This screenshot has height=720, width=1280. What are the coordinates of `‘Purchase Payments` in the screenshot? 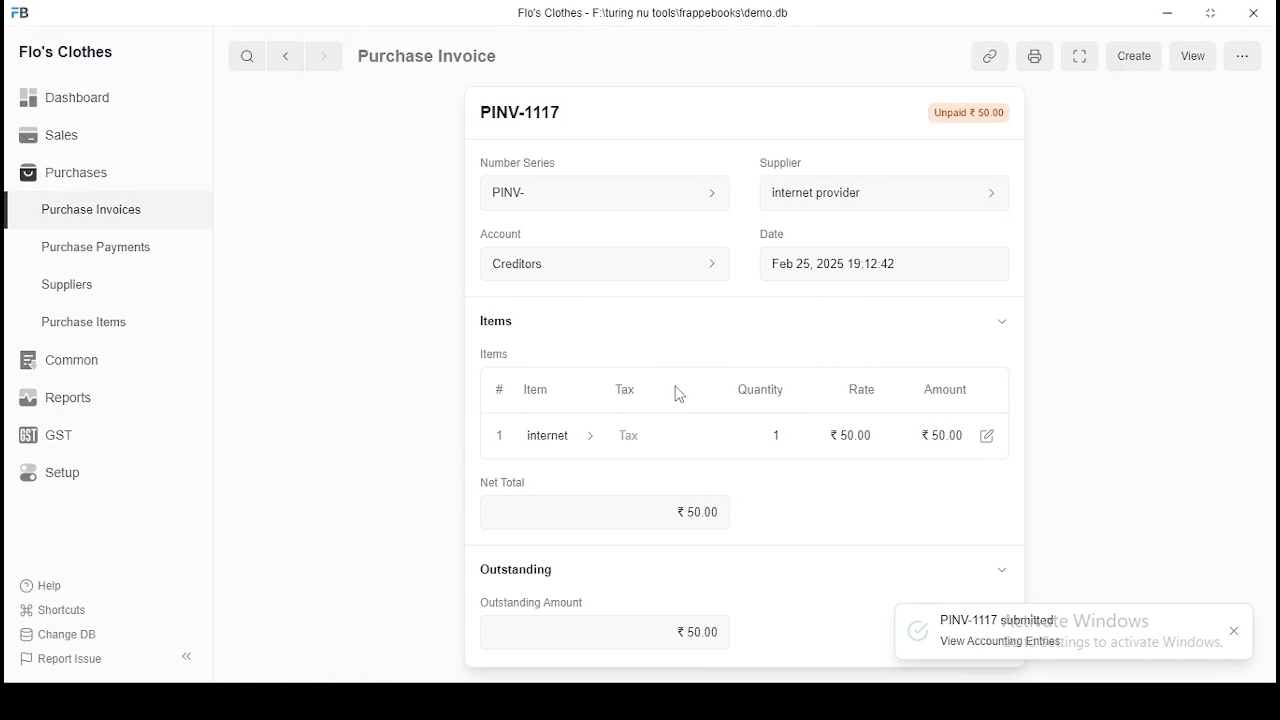 It's located at (98, 247).